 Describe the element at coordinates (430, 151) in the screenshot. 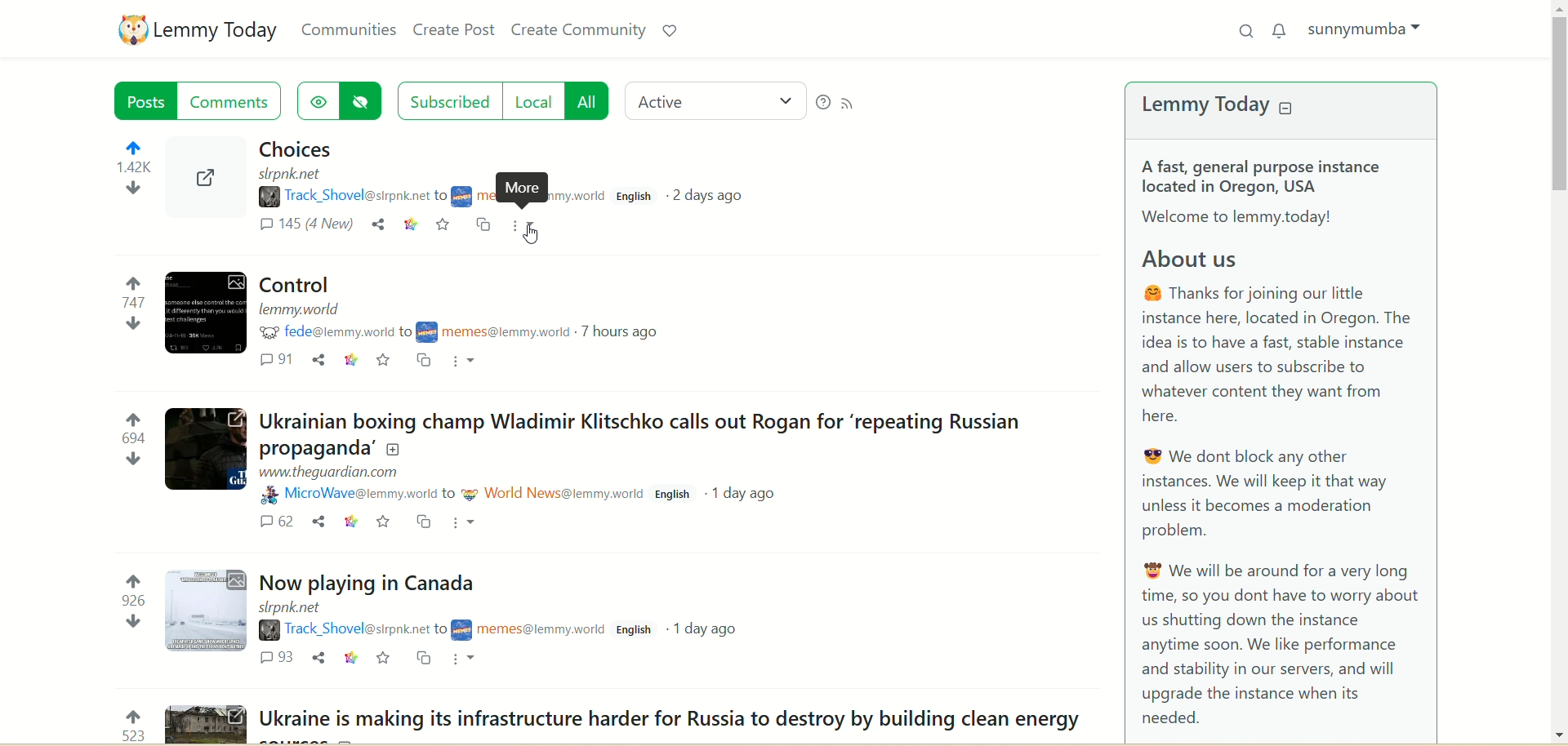

I see `post on  "Choices"` at that location.